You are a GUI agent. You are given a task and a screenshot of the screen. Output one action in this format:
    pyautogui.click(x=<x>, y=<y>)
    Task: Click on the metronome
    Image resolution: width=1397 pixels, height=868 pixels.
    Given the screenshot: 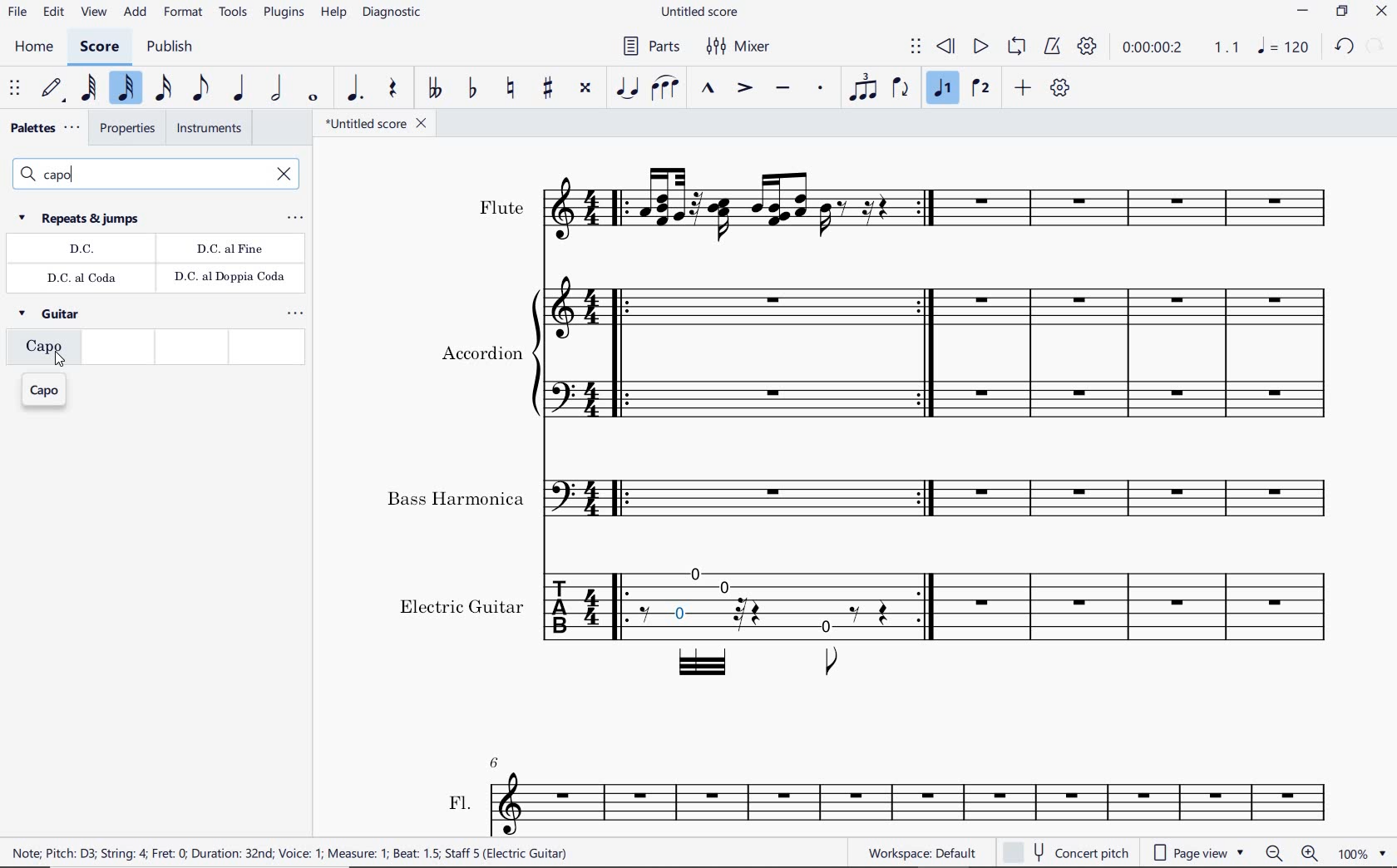 What is the action you would take?
    pyautogui.click(x=1051, y=46)
    